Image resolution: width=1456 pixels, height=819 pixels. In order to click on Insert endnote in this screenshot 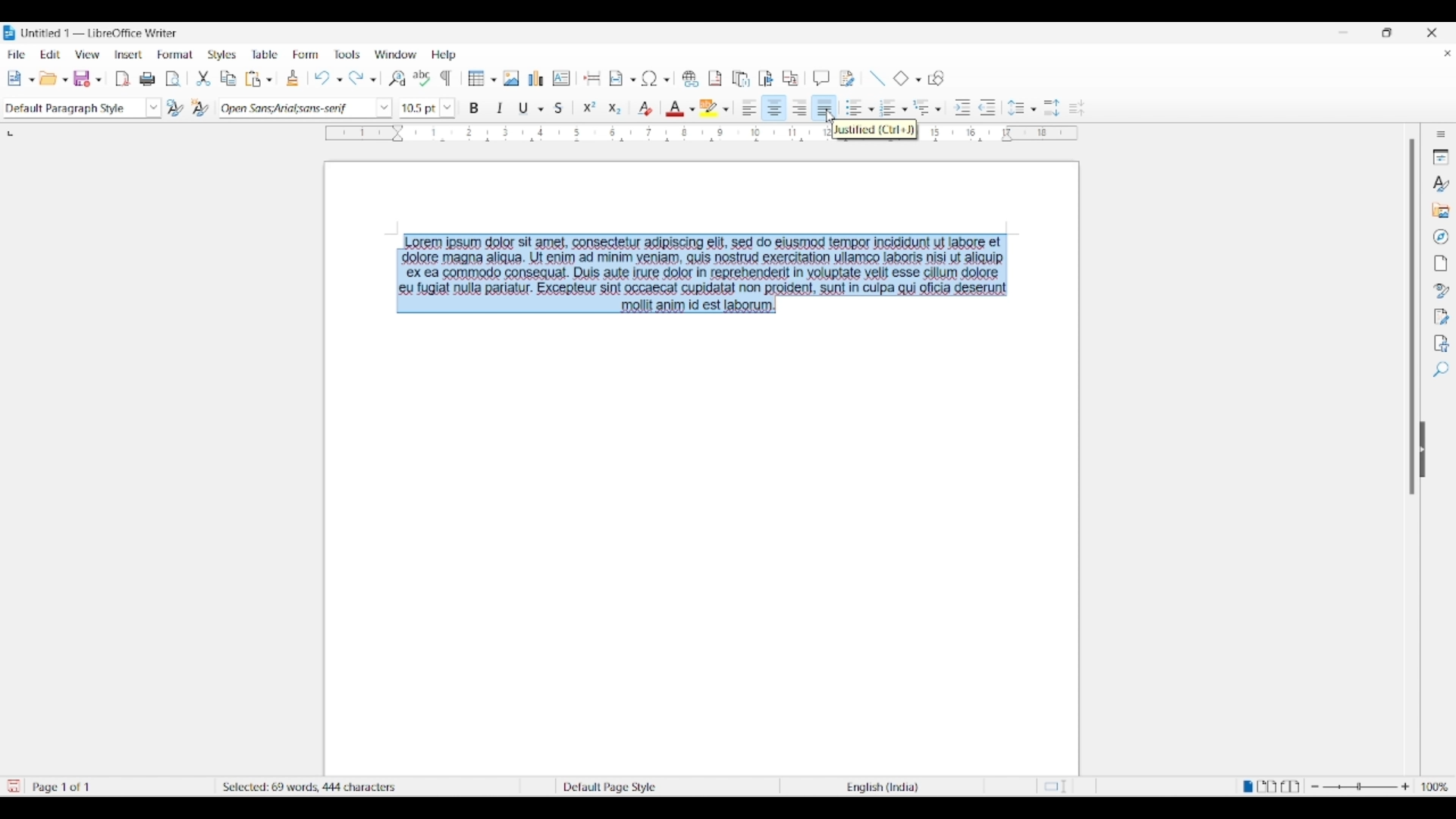, I will do `click(741, 78)`.